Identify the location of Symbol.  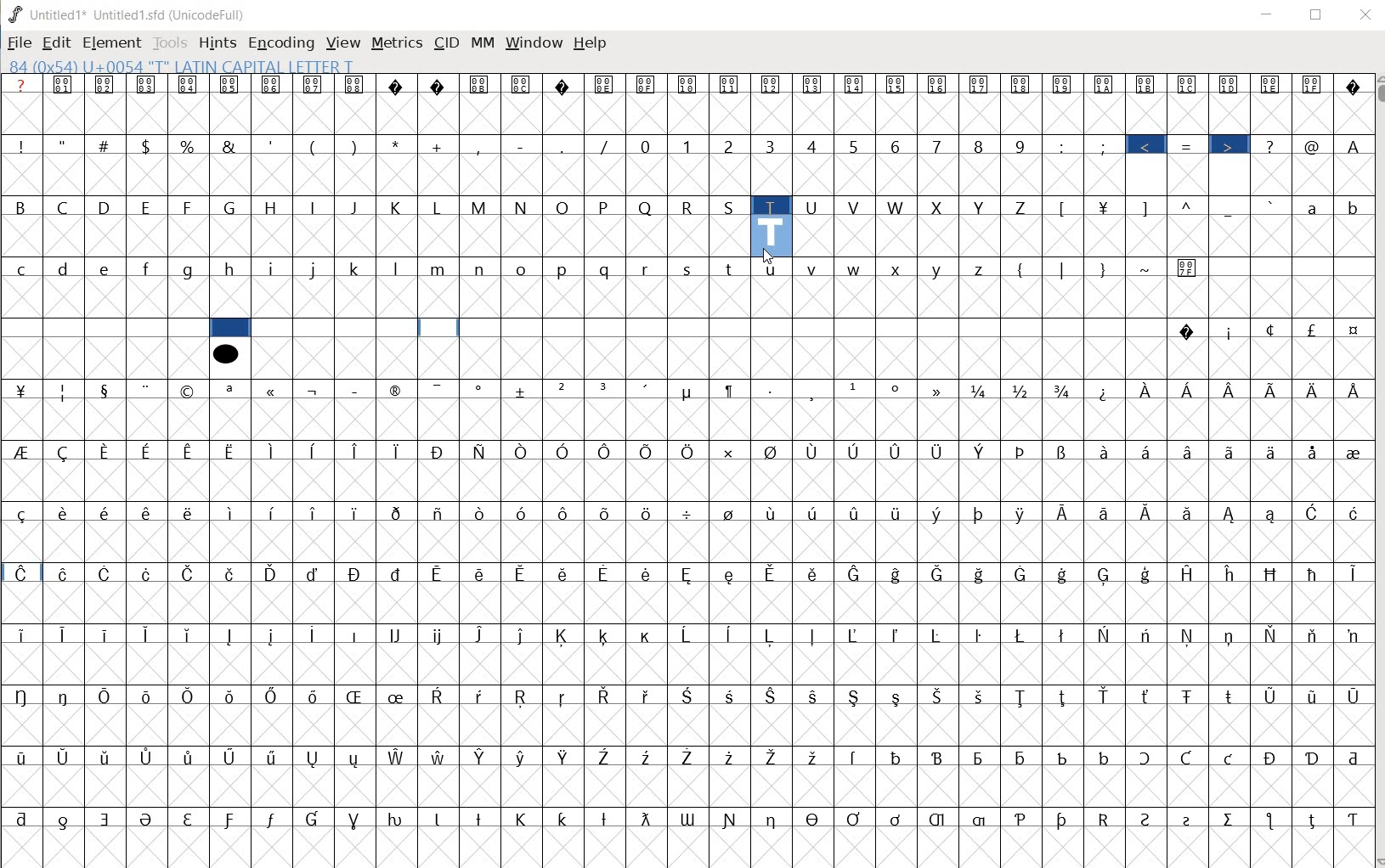
(649, 635).